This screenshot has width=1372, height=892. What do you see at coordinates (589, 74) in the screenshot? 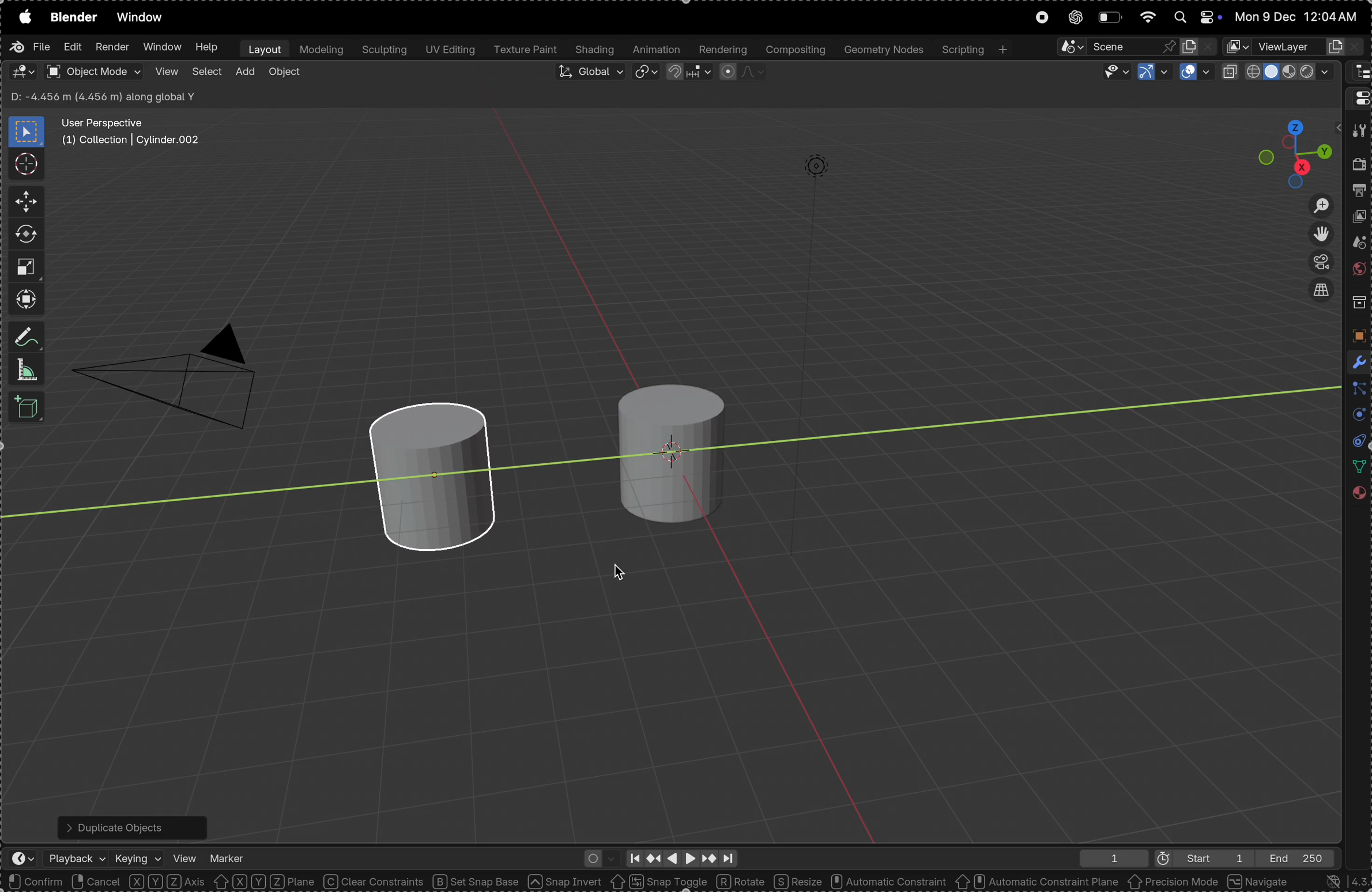
I see `Global` at bounding box center [589, 74].